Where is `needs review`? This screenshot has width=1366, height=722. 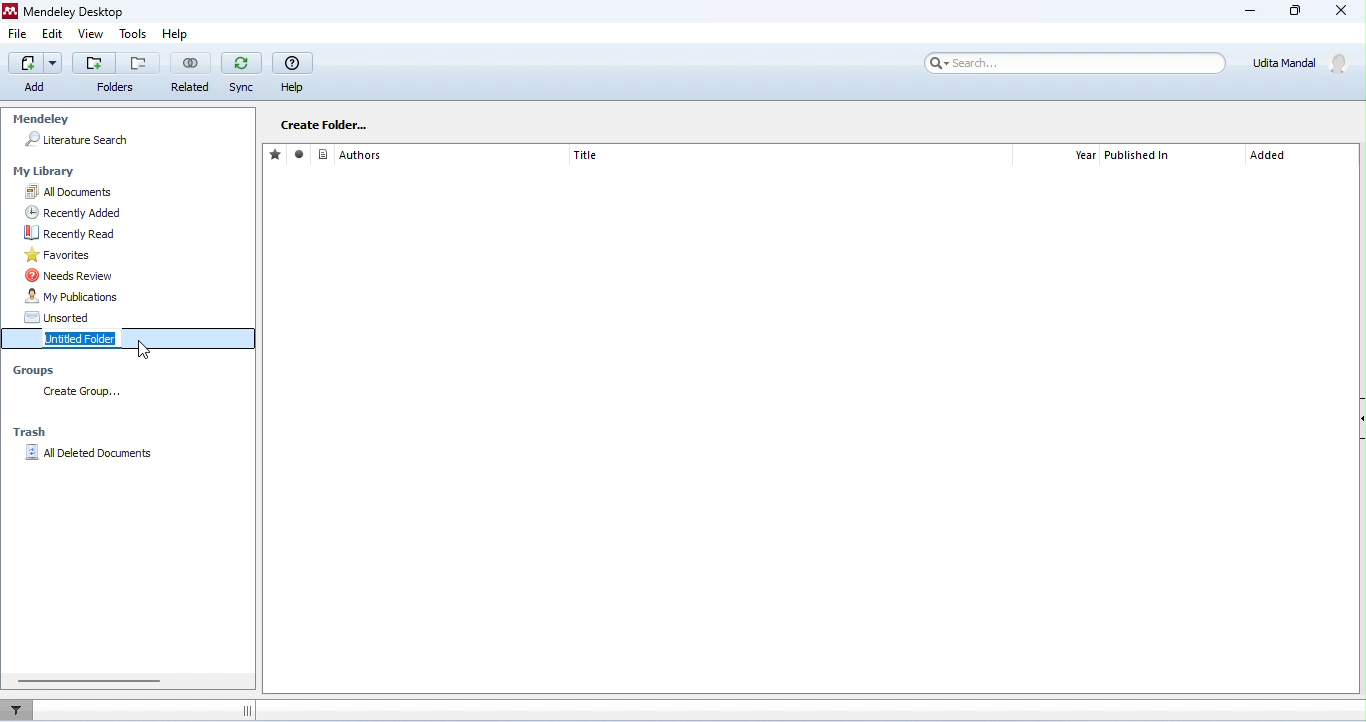
needs review is located at coordinates (138, 275).